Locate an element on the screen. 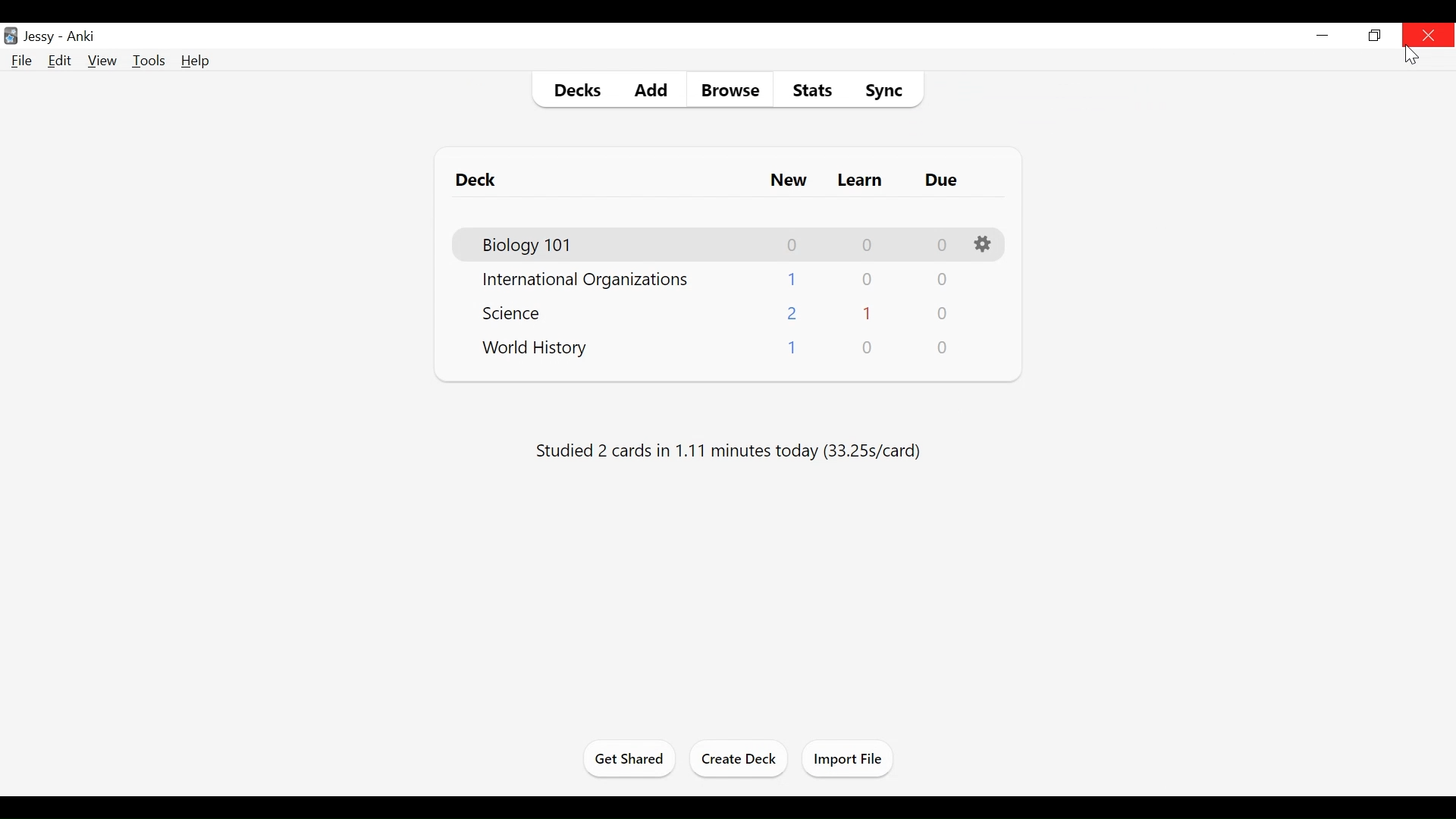 This screenshot has width=1456, height=819. Stats is located at coordinates (814, 90).